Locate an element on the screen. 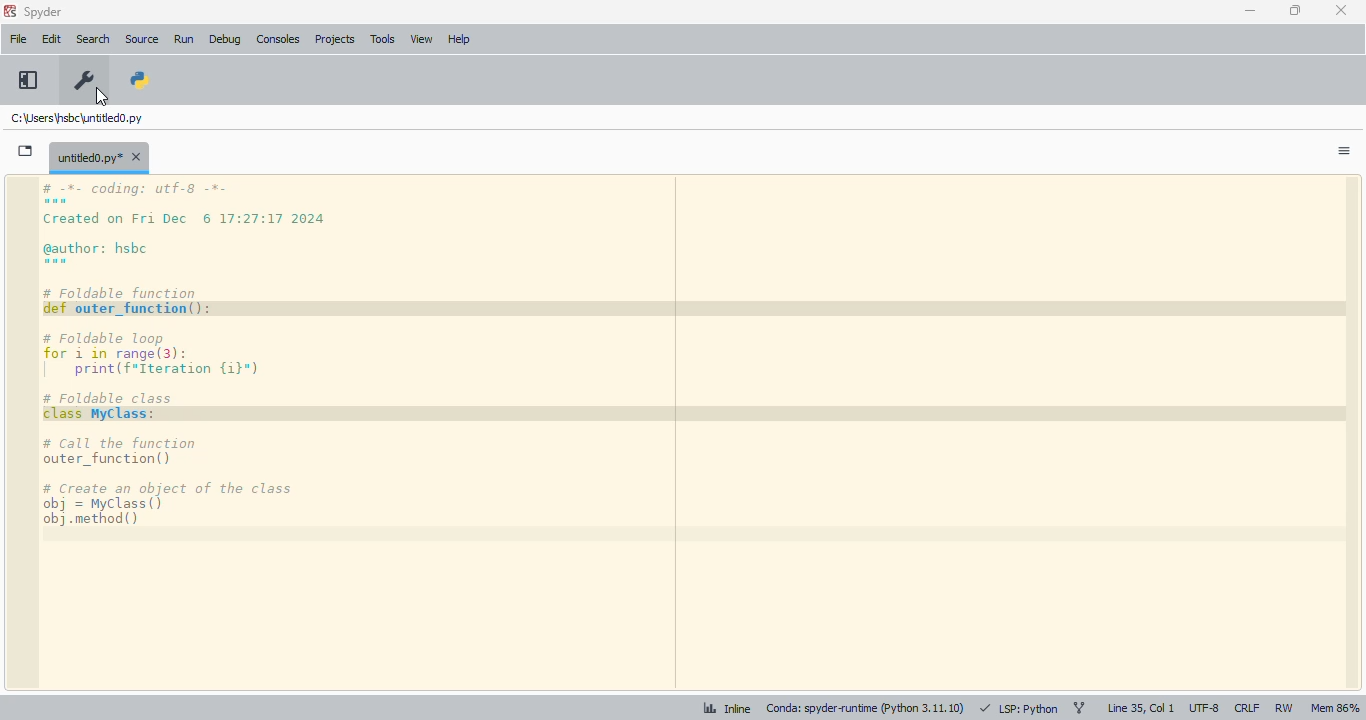  git branch is located at coordinates (1079, 707).